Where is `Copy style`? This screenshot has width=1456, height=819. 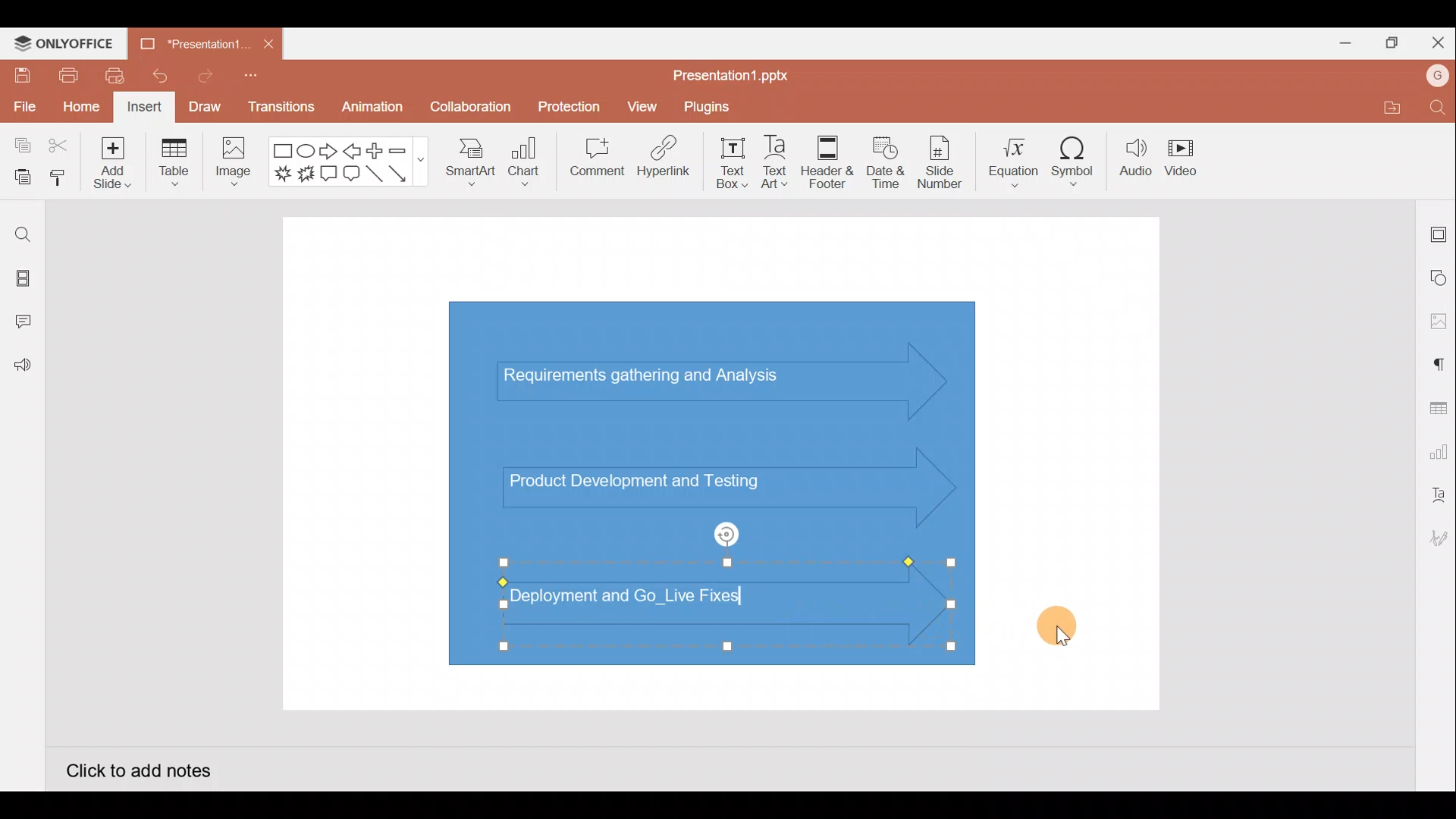 Copy style is located at coordinates (59, 180).